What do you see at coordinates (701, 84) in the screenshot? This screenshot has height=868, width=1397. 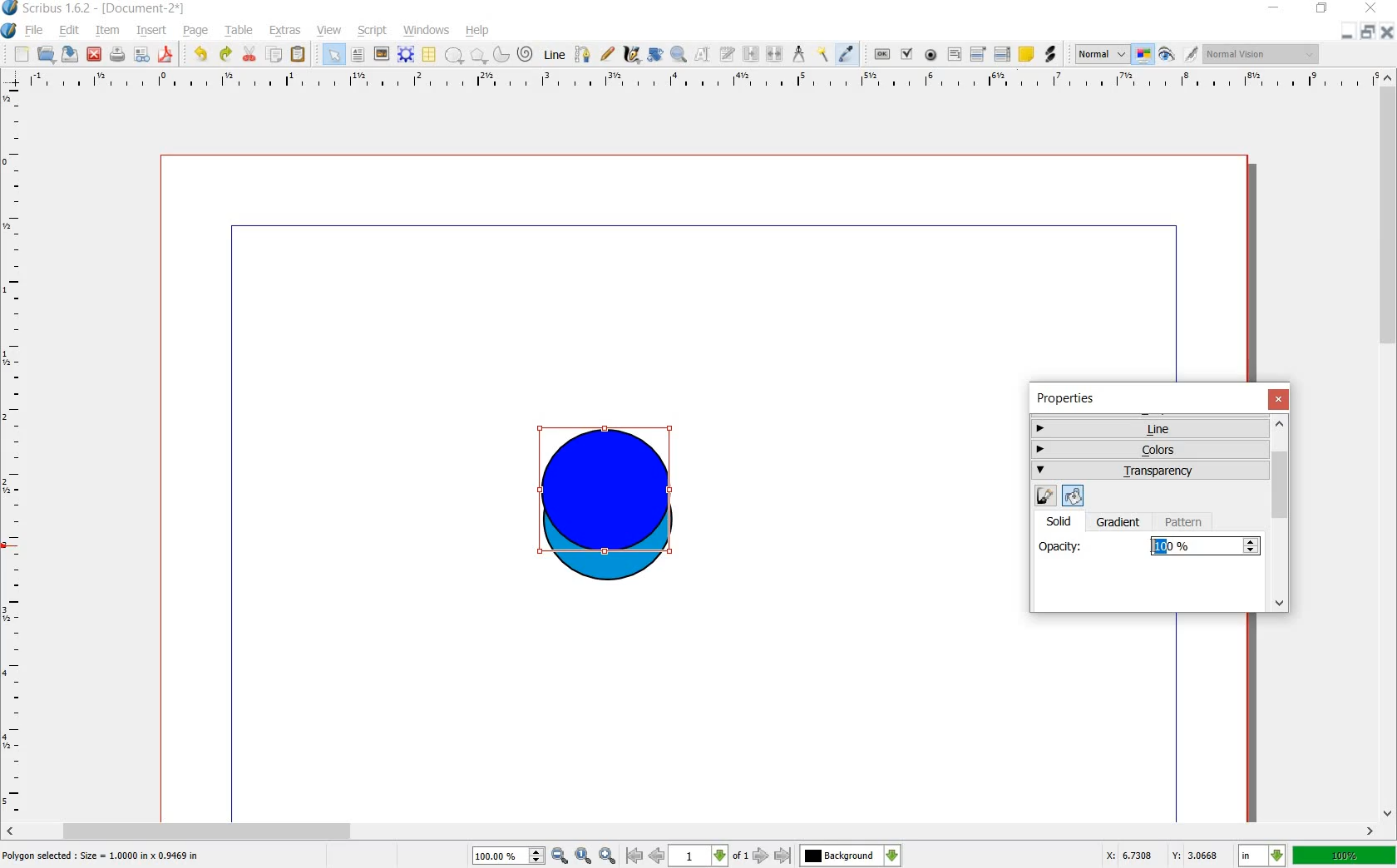 I see `ruler` at bounding box center [701, 84].